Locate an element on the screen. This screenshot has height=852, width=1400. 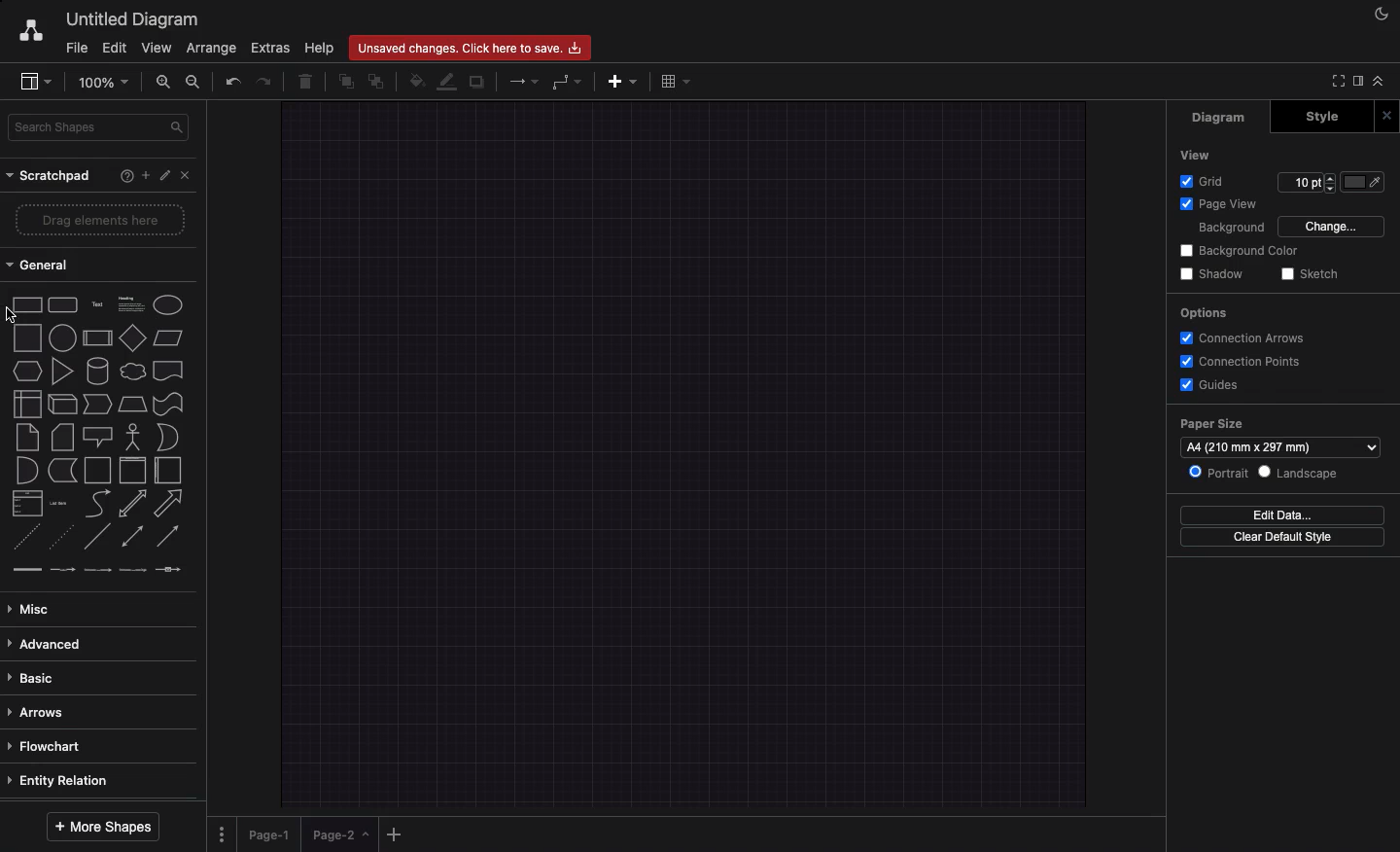
note is located at coordinates (26, 437).